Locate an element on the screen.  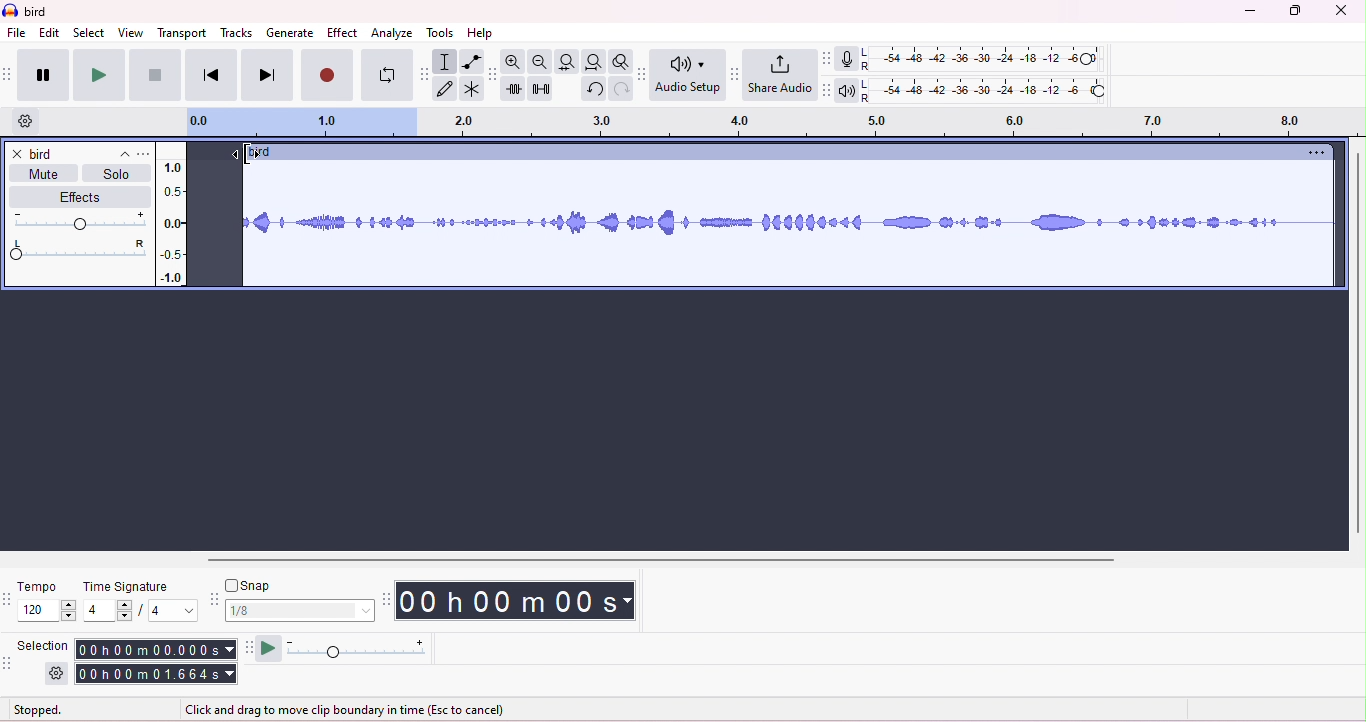
waveform is located at coordinates (790, 225).